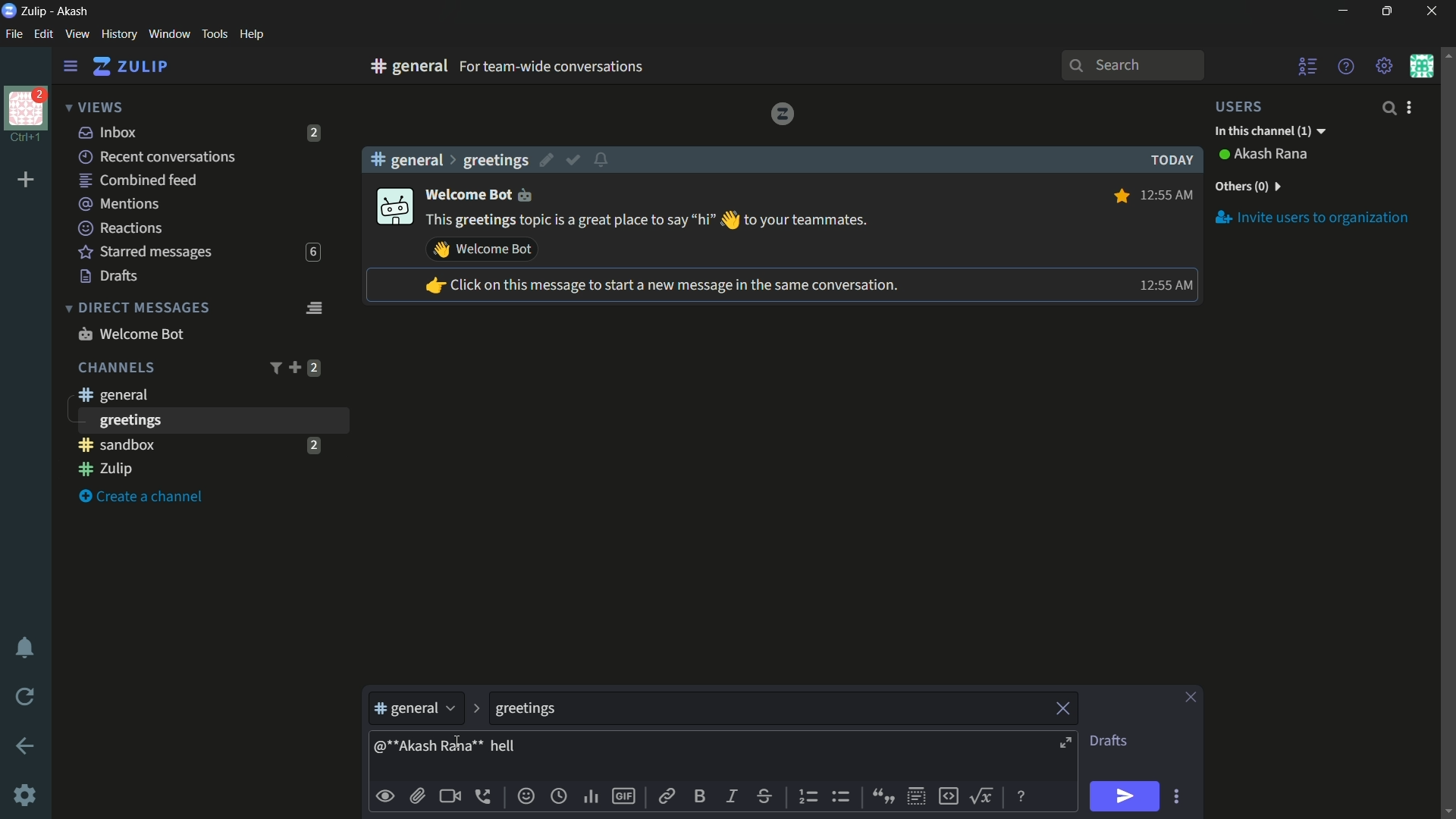  Describe the element at coordinates (1169, 193) in the screenshot. I see `12: 55 AM` at that location.